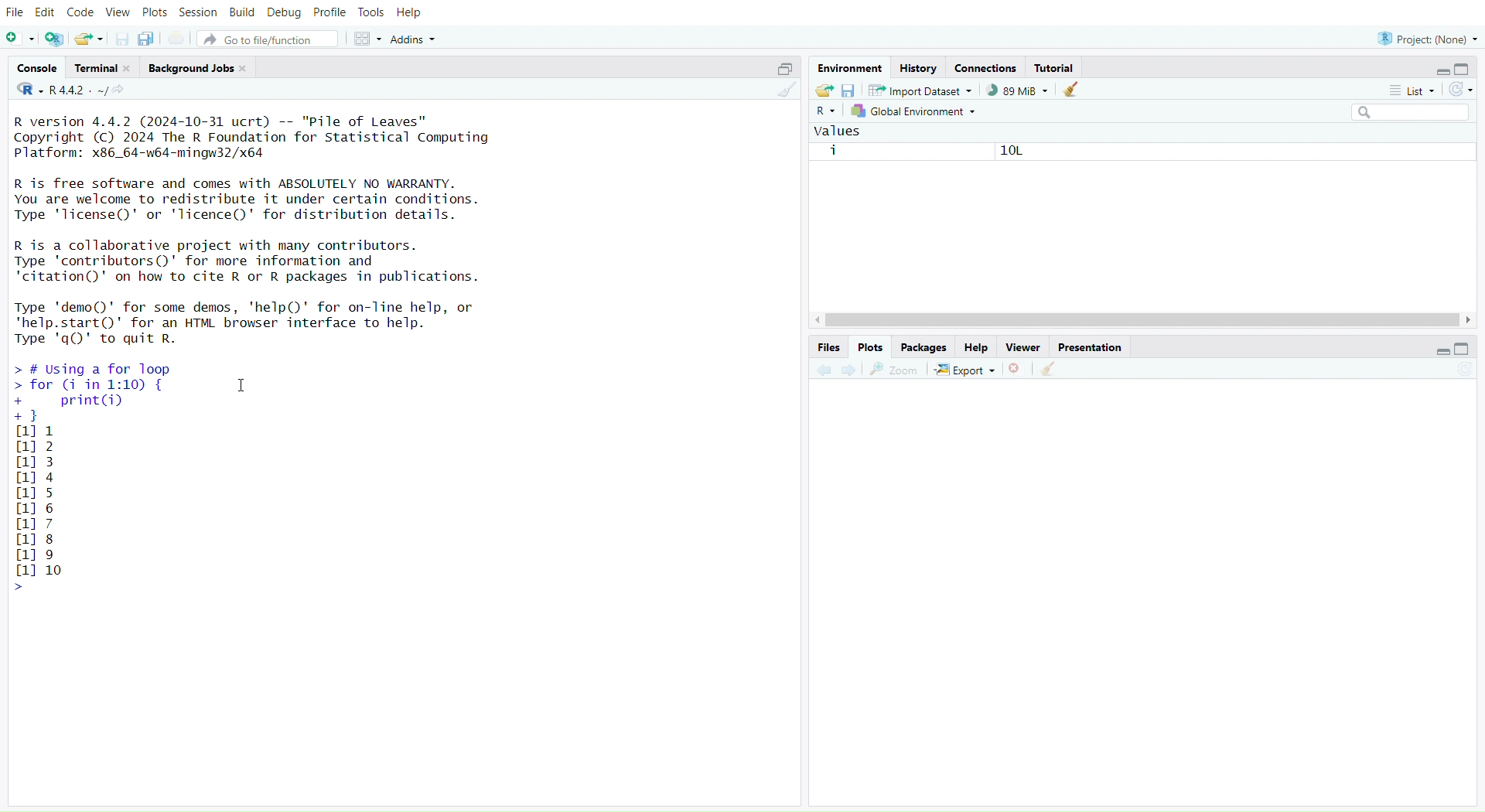  I want to click on edit, so click(45, 13).